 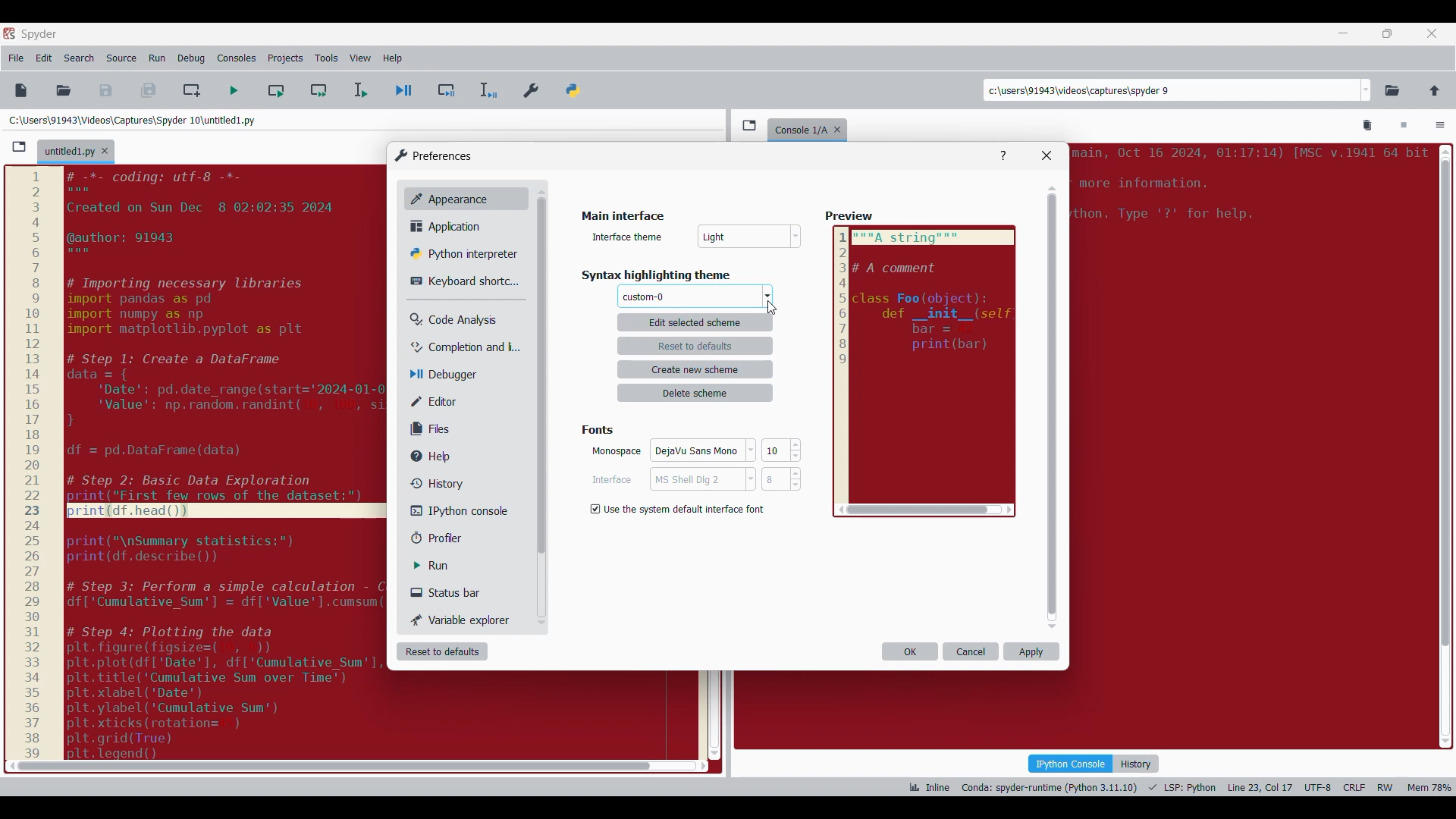 I want to click on Run current cell and go to next one, so click(x=318, y=90).